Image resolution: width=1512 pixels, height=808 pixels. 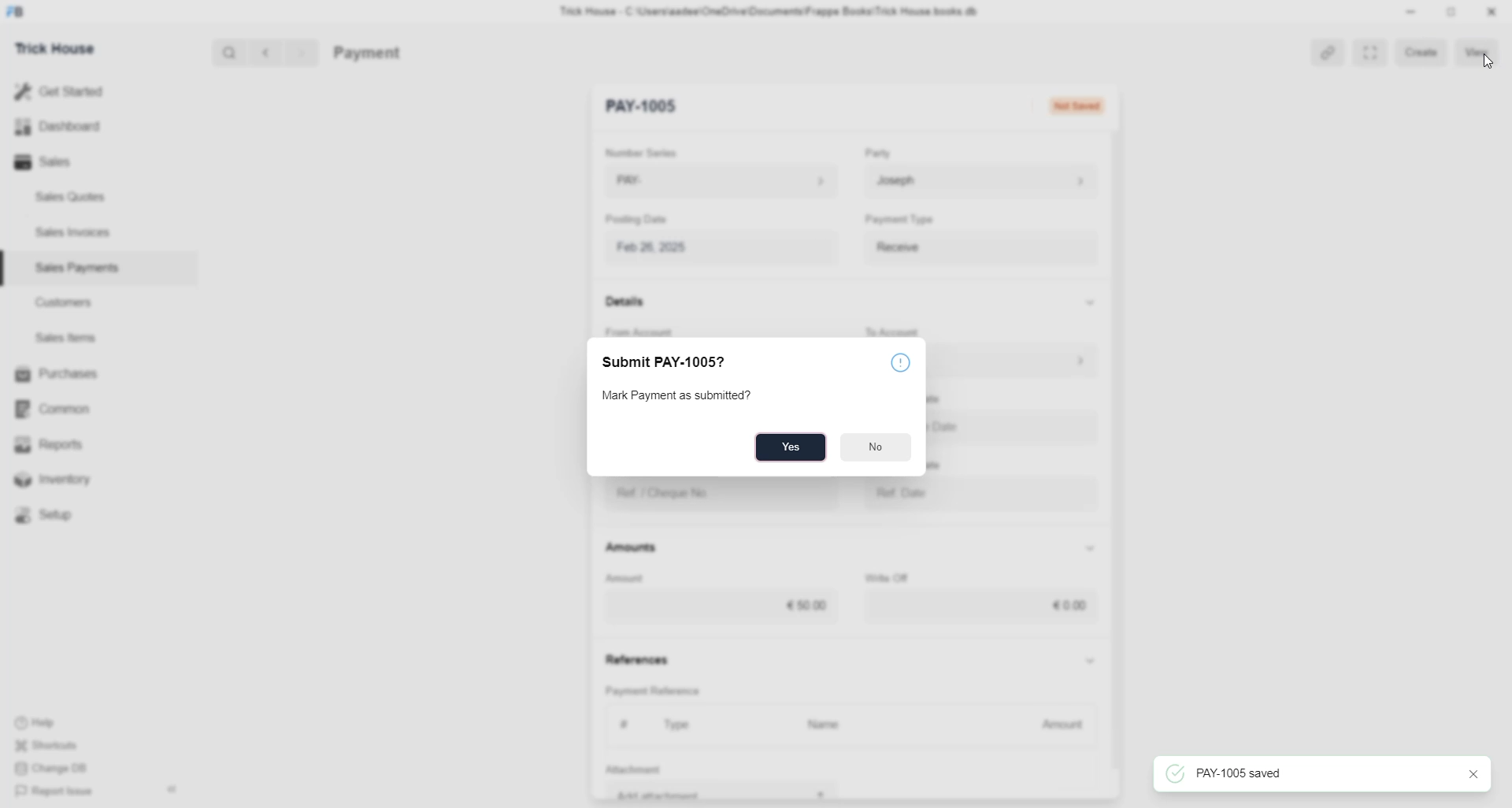 What do you see at coordinates (1452, 12) in the screenshot?
I see `resize` at bounding box center [1452, 12].